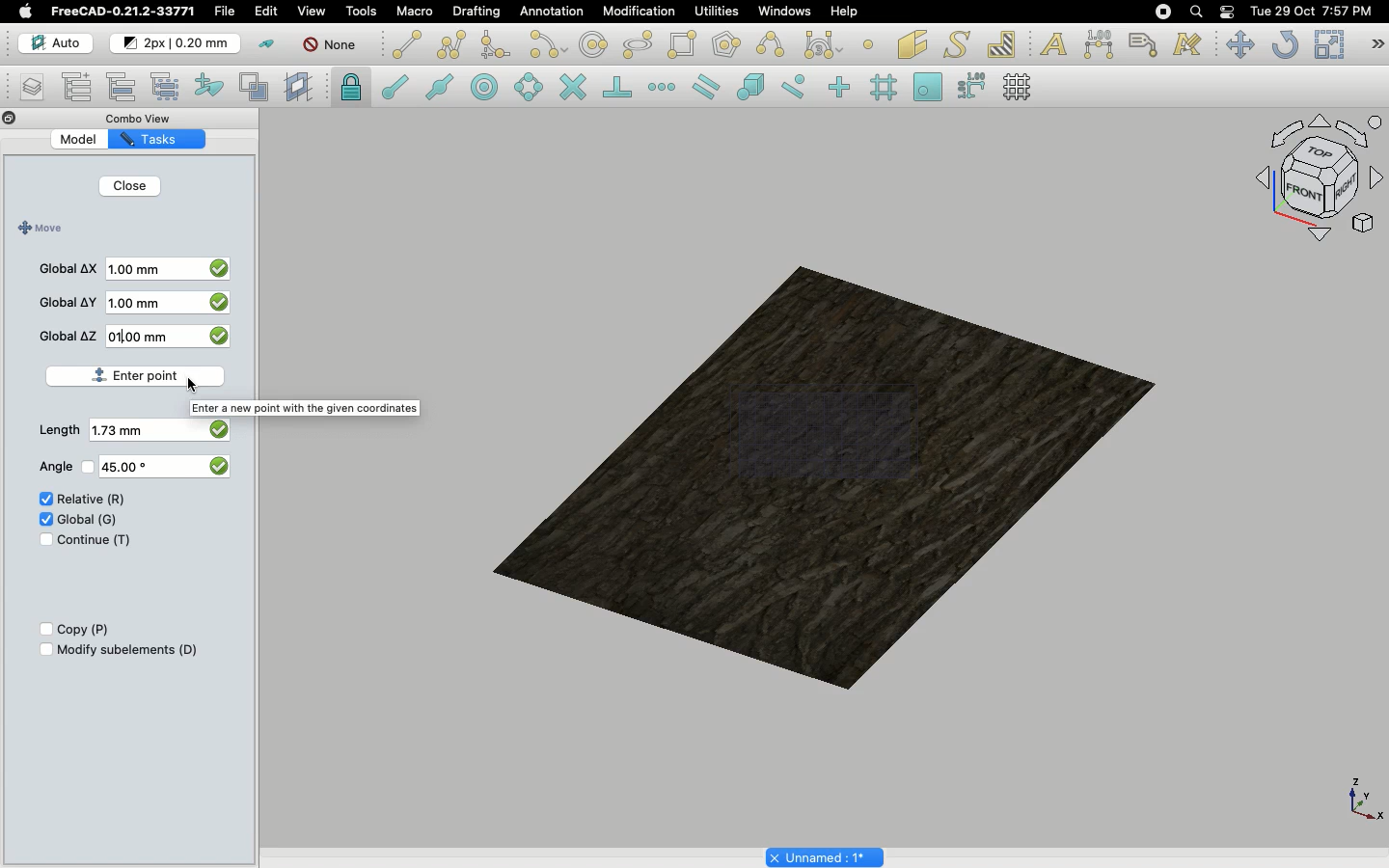  What do you see at coordinates (574, 89) in the screenshot?
I see `Snap intersection` at bounding box center [574, 89].